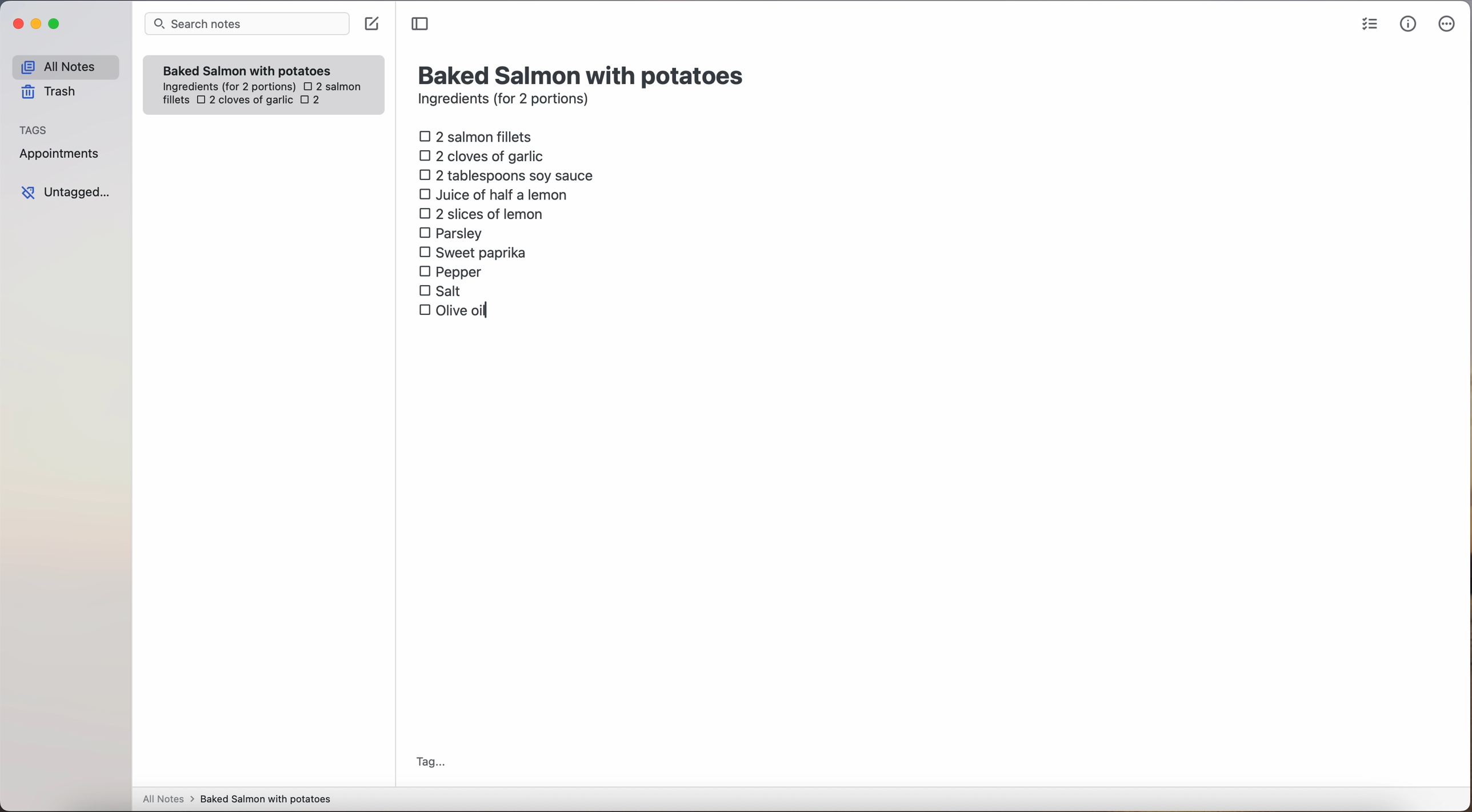 This screenshot has height=812, width=1472. I want to click on salt, so click(442, 290).